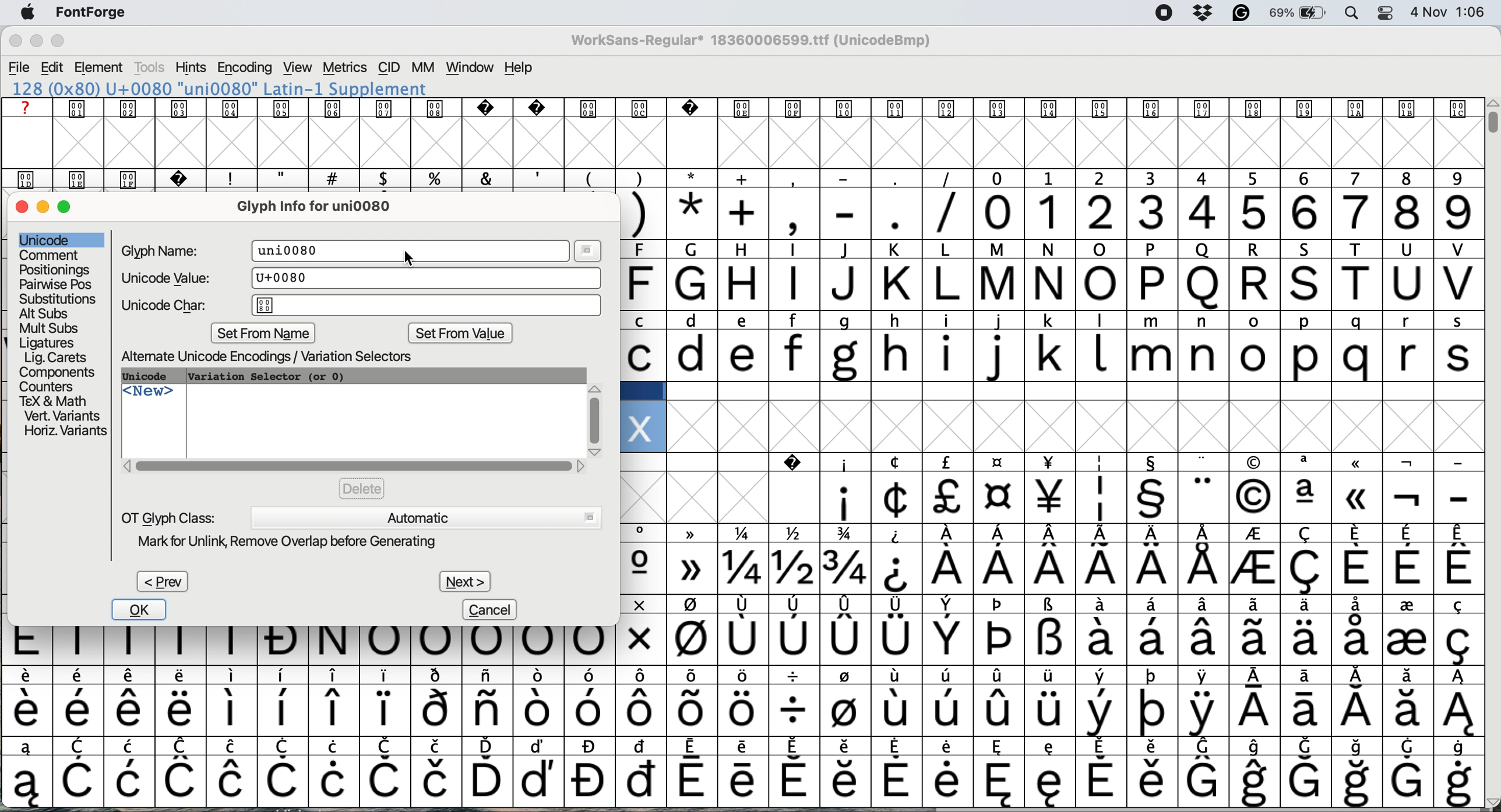 This screenshot has width=1501, height=812. I want to click on lig carets, so click(54, 357).